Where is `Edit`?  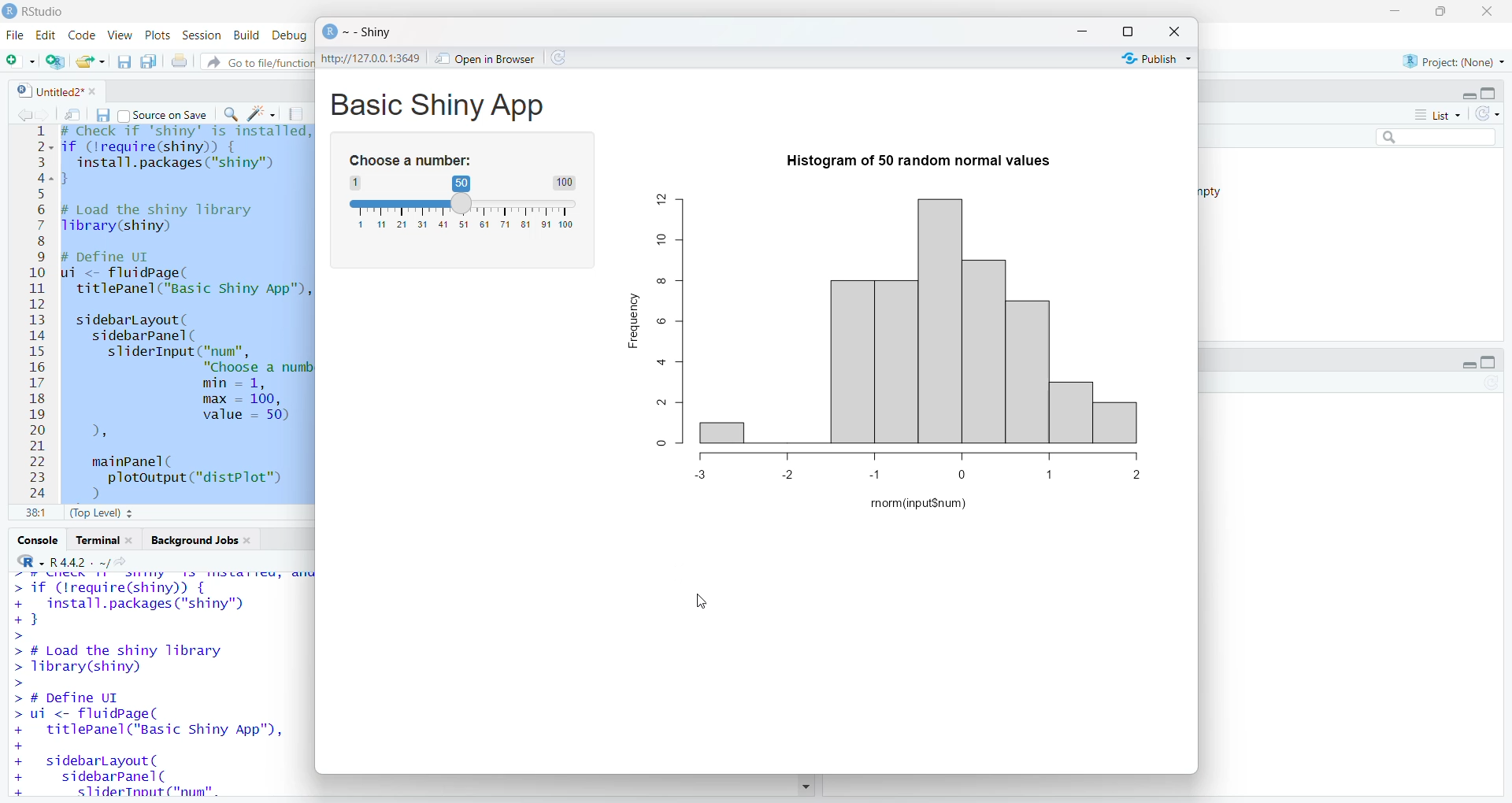
Edit is located at coordinates (46, 36).